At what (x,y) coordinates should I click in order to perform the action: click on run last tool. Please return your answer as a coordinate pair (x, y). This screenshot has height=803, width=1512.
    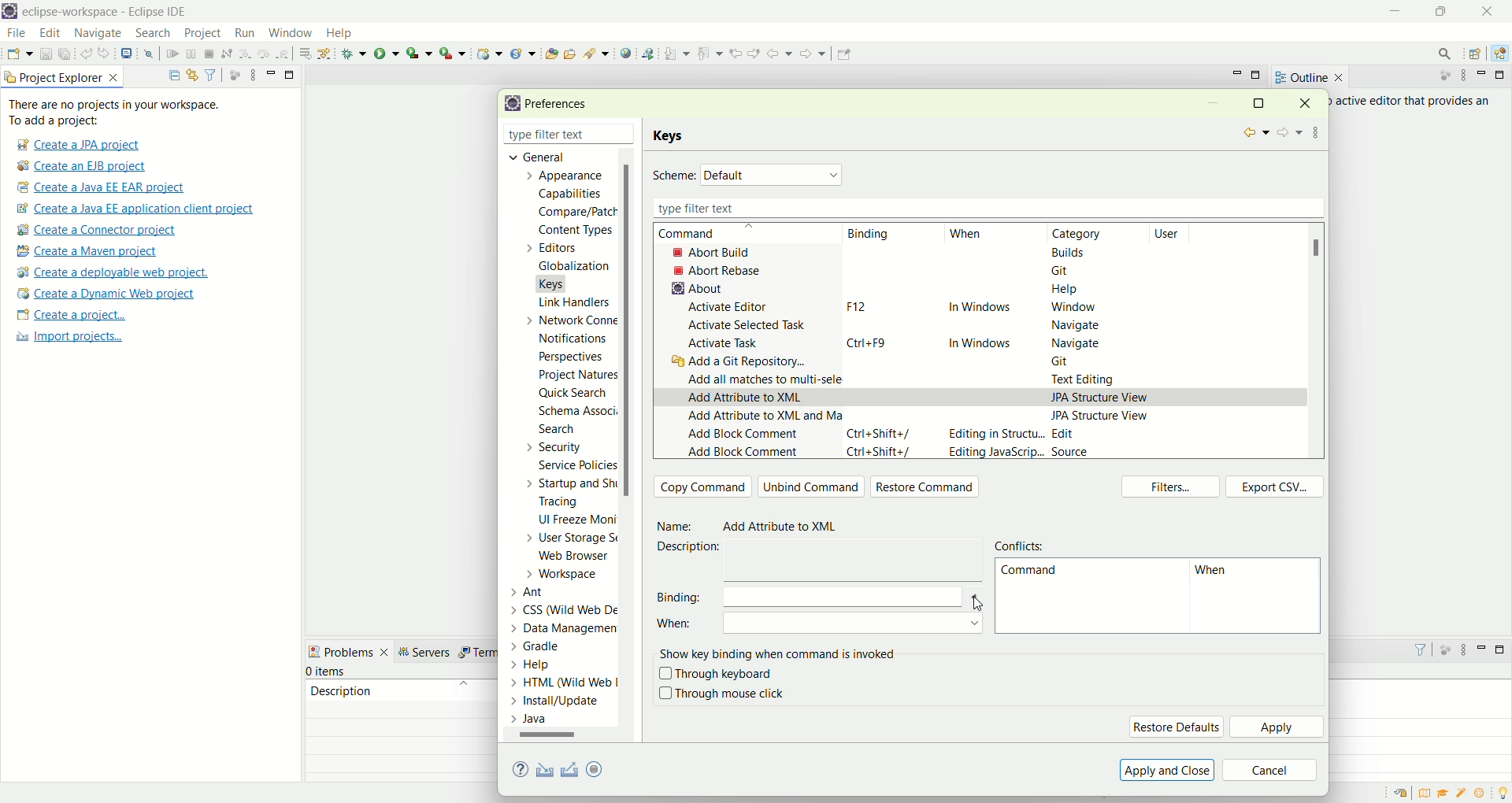
    Looking at the image, I should click on (454, 53).